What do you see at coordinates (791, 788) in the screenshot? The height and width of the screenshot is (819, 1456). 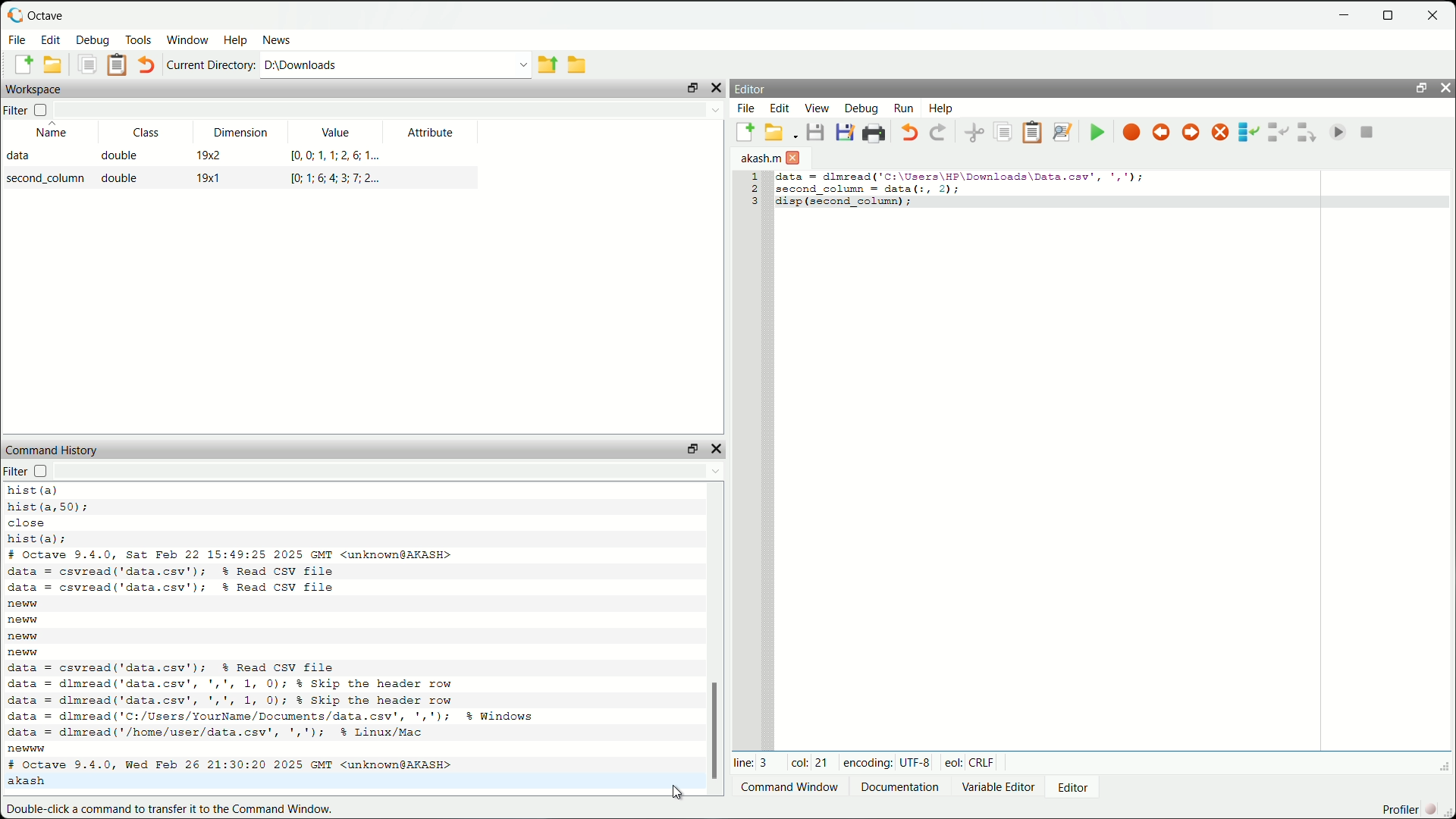 I see `Command window` at bounding box center [791, 788].